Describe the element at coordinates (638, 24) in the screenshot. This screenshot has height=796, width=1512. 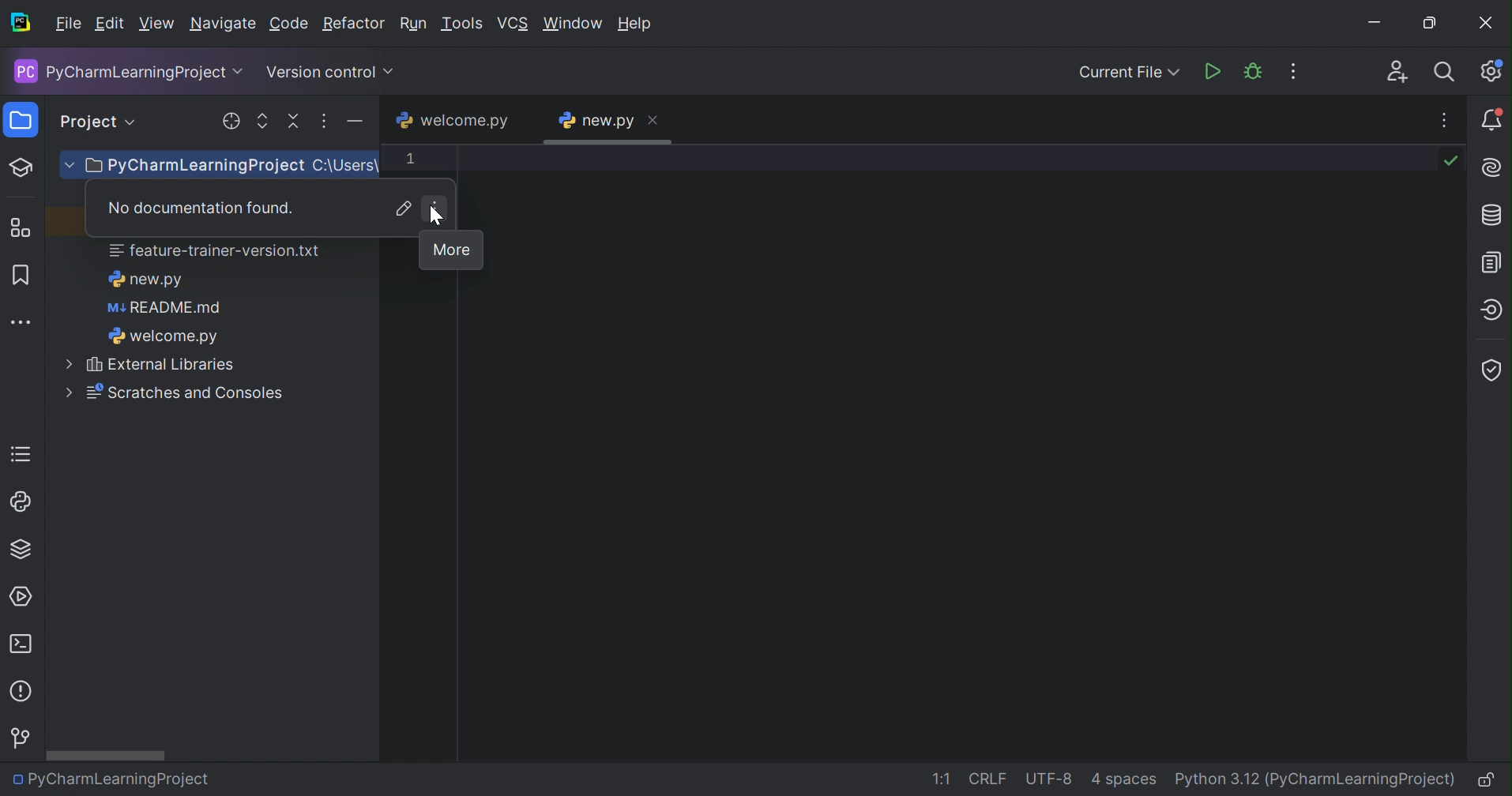
I see `Help` at that location.